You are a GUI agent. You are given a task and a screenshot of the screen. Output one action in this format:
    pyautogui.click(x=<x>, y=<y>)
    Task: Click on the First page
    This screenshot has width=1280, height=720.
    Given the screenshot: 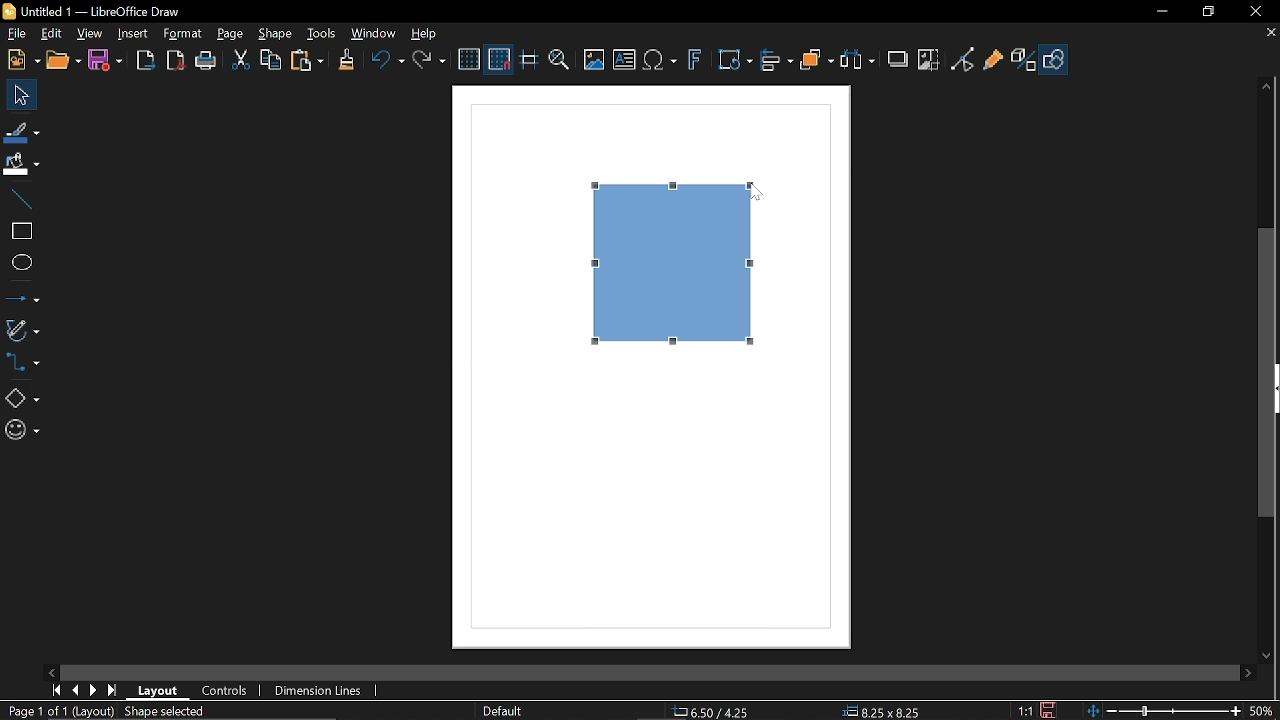 What is the action you would take?
    pyautogui.click(x=56, y=692)
    